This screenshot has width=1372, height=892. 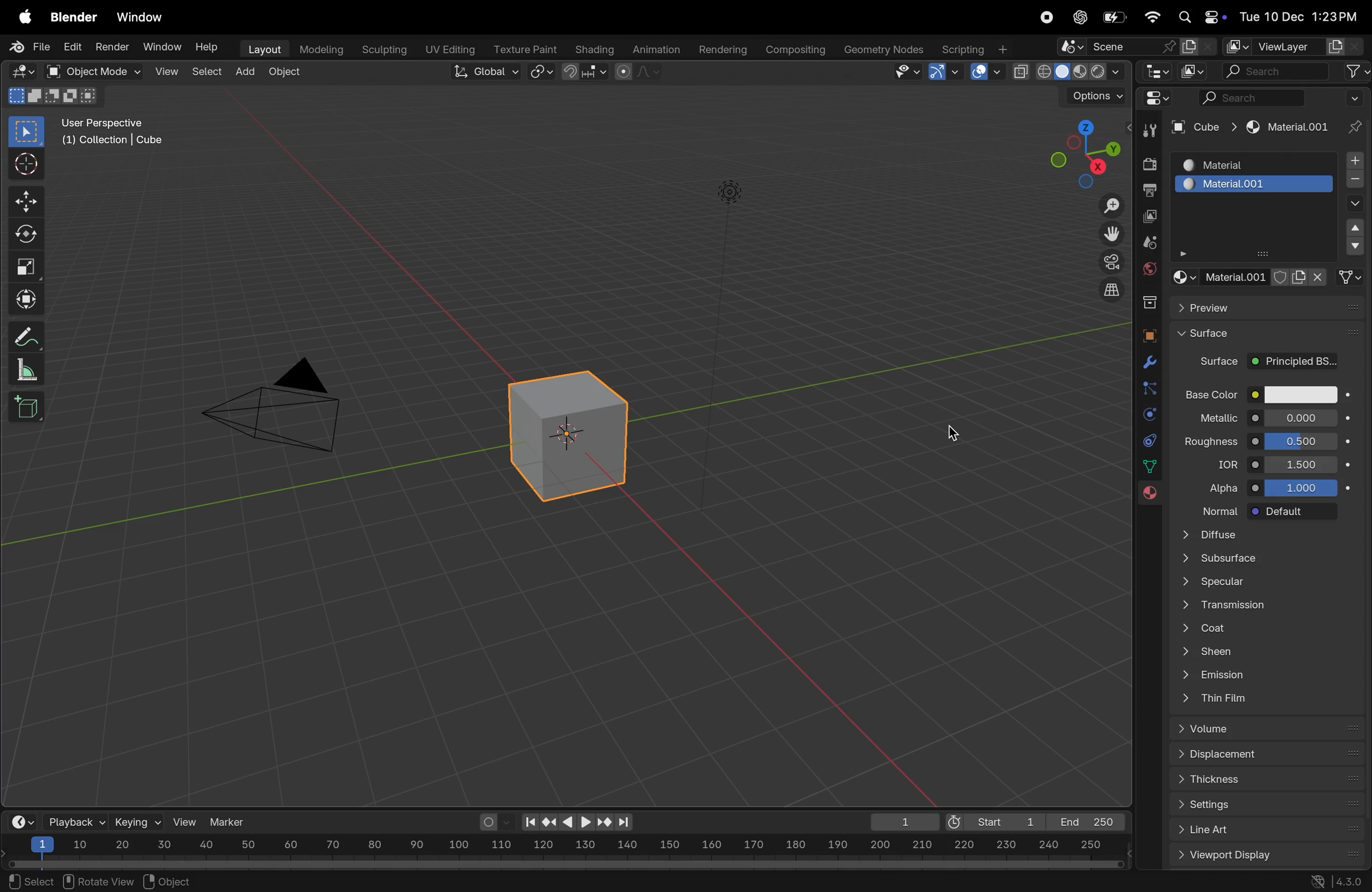 I want to click on surface, so click(x=1213, y=364).